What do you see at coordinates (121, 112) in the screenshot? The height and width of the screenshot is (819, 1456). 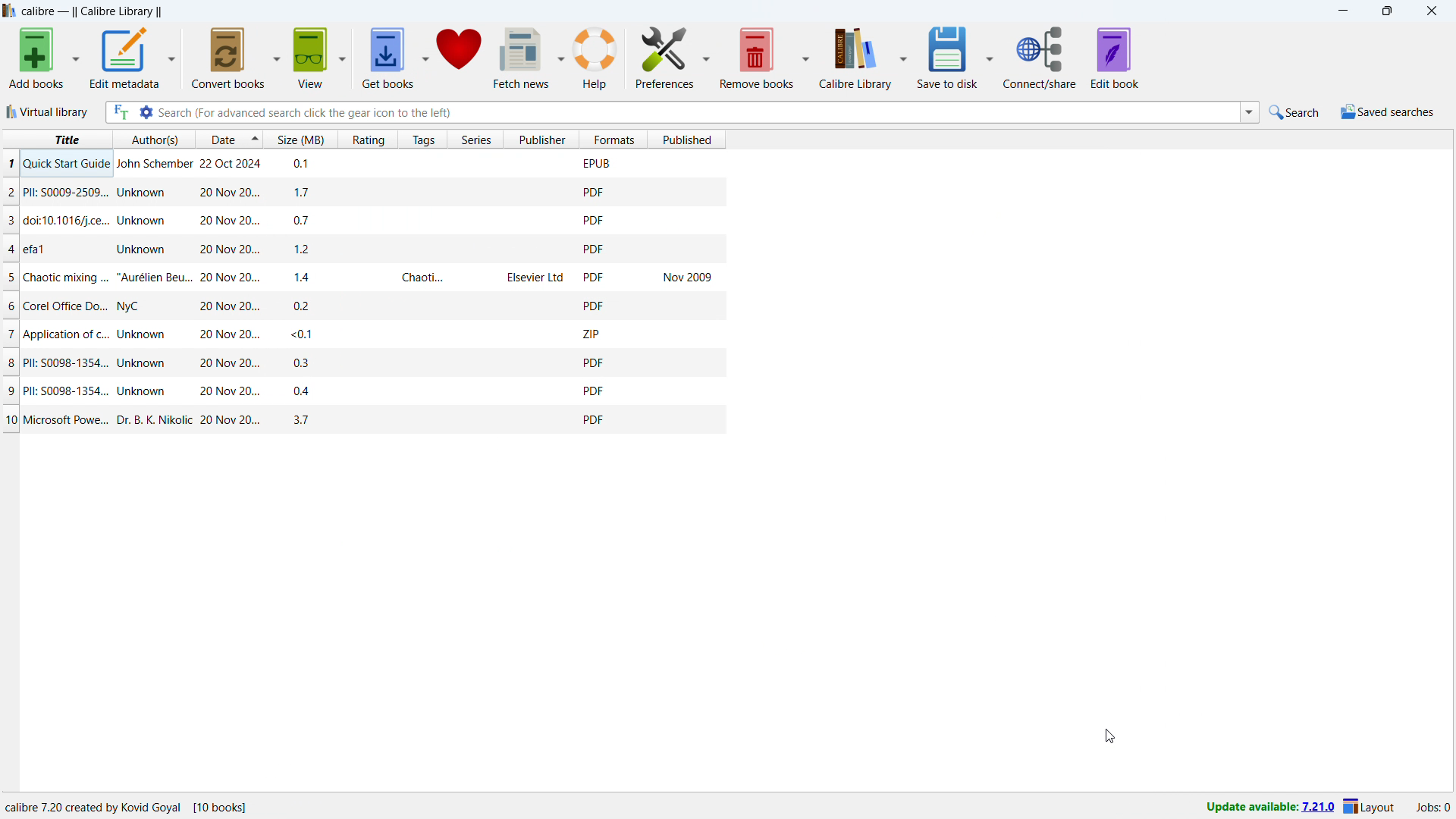 I see `full text search` at bounding box center [121, 112].